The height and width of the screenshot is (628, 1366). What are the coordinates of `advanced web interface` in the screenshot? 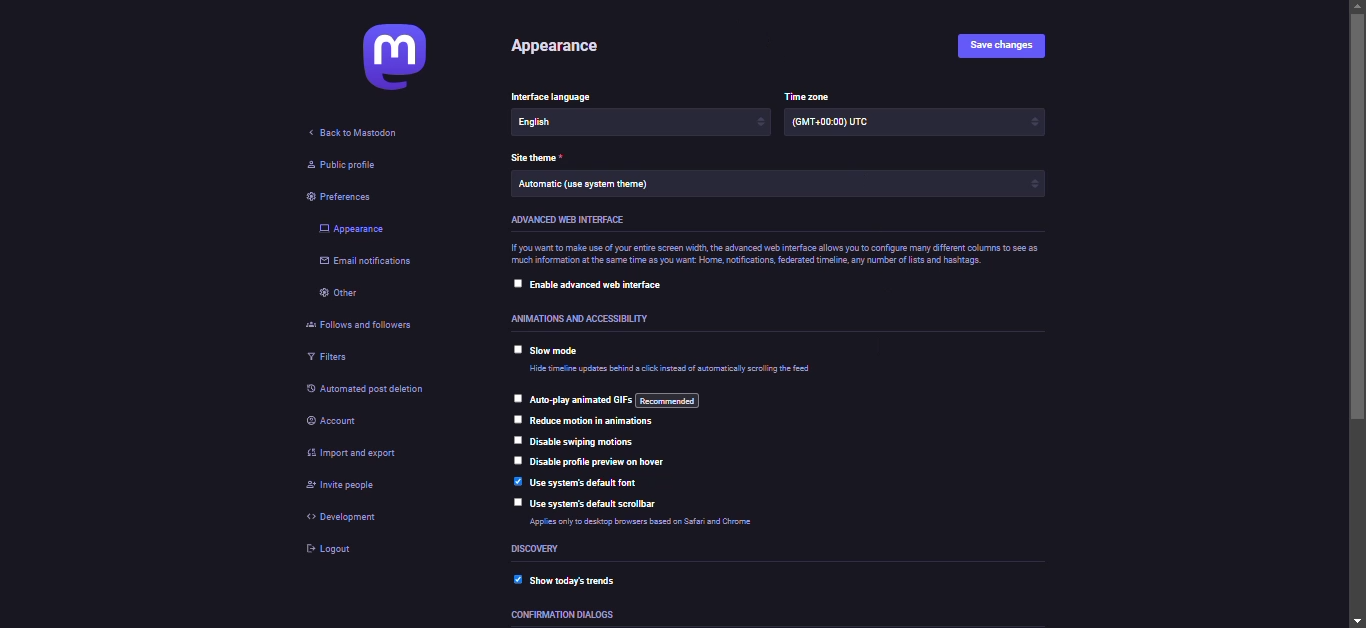 It's located at (582, 220).